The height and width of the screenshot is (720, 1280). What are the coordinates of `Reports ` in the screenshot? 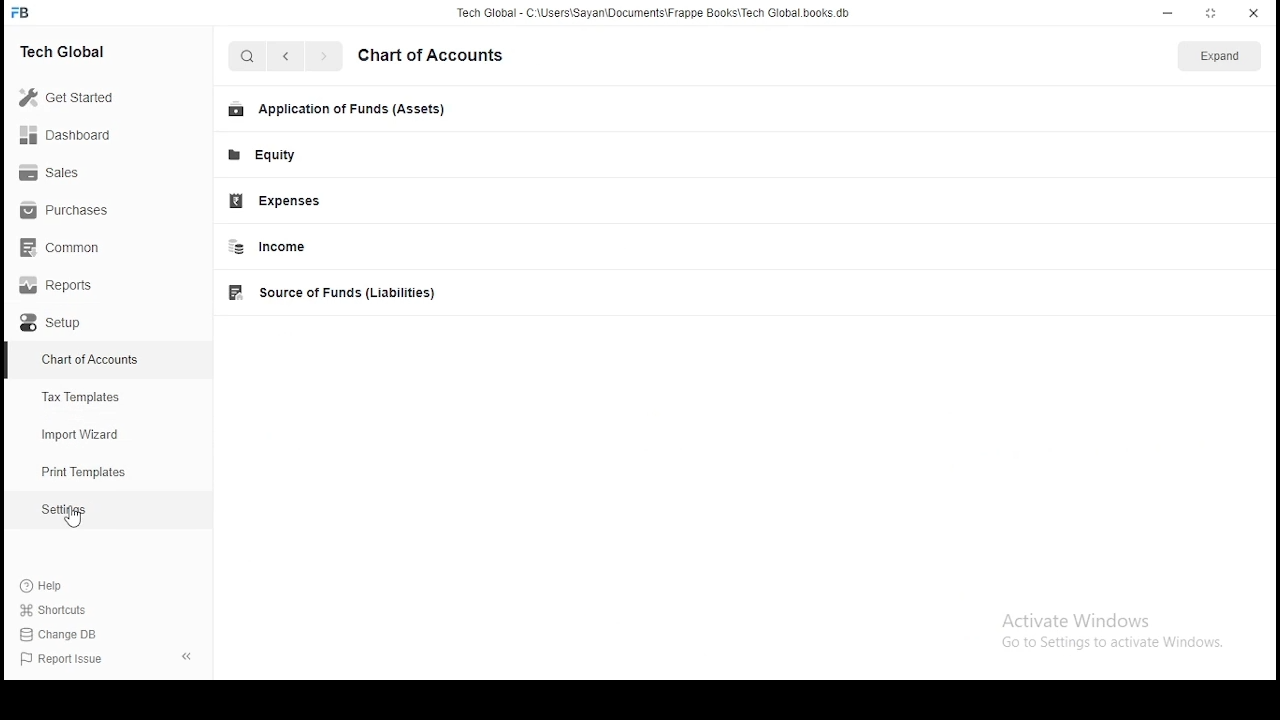 It's located at (82, 288).